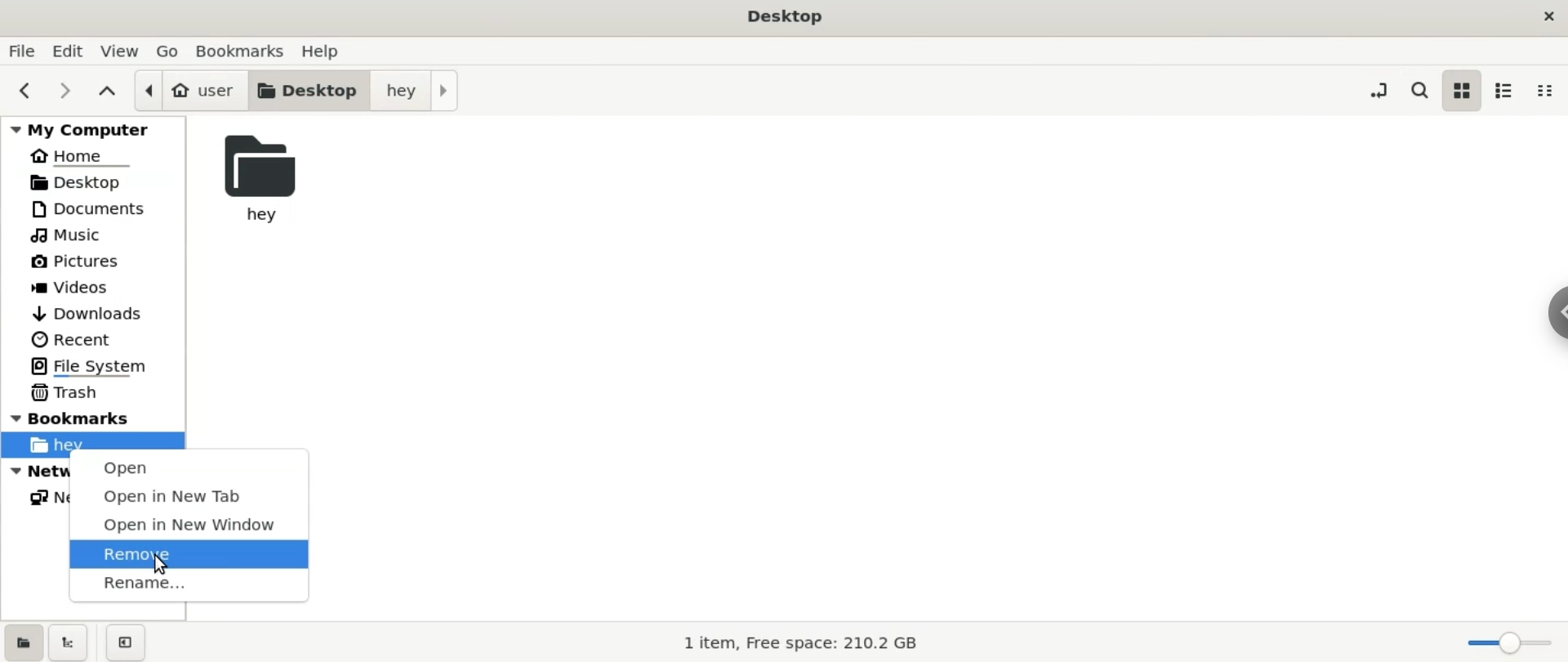 The image size is (1568, 662). Describe the element at coordinates (64, 92) in the screenshot. I see `next` at that location.